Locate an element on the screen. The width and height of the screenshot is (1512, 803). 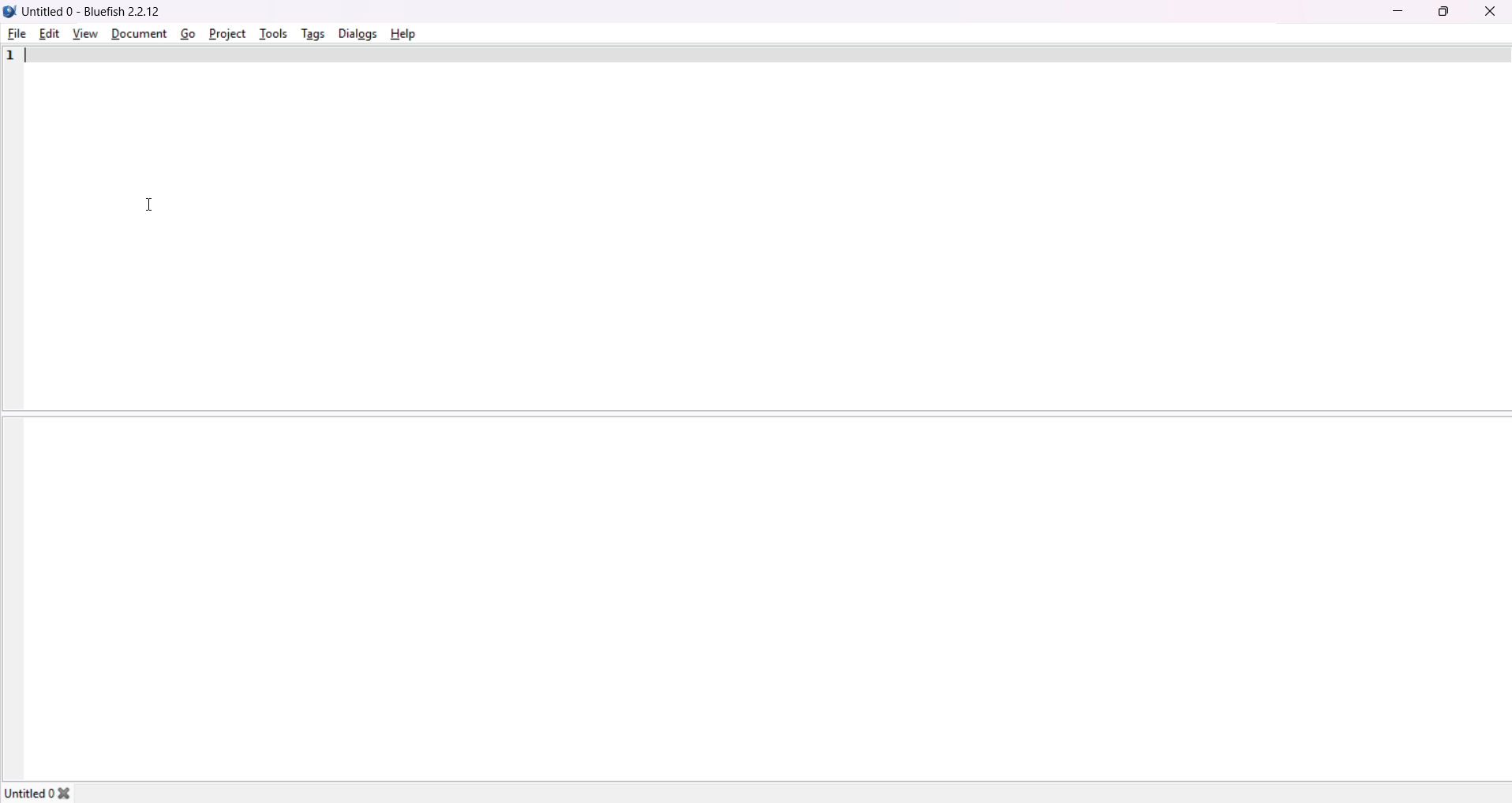
Cursor is located at coordinates (145, 205).